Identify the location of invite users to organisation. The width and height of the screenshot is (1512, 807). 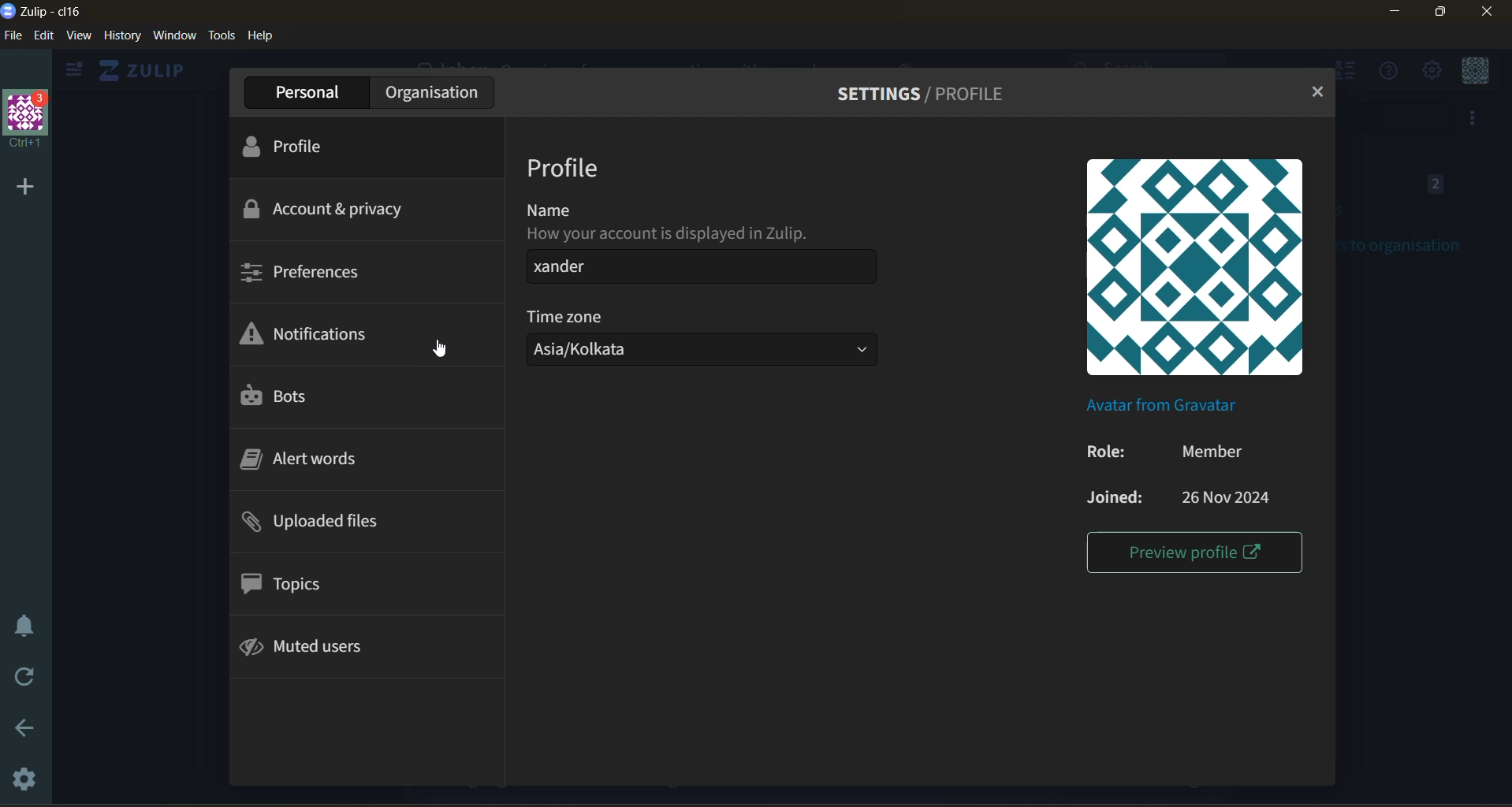
(1473, 119).